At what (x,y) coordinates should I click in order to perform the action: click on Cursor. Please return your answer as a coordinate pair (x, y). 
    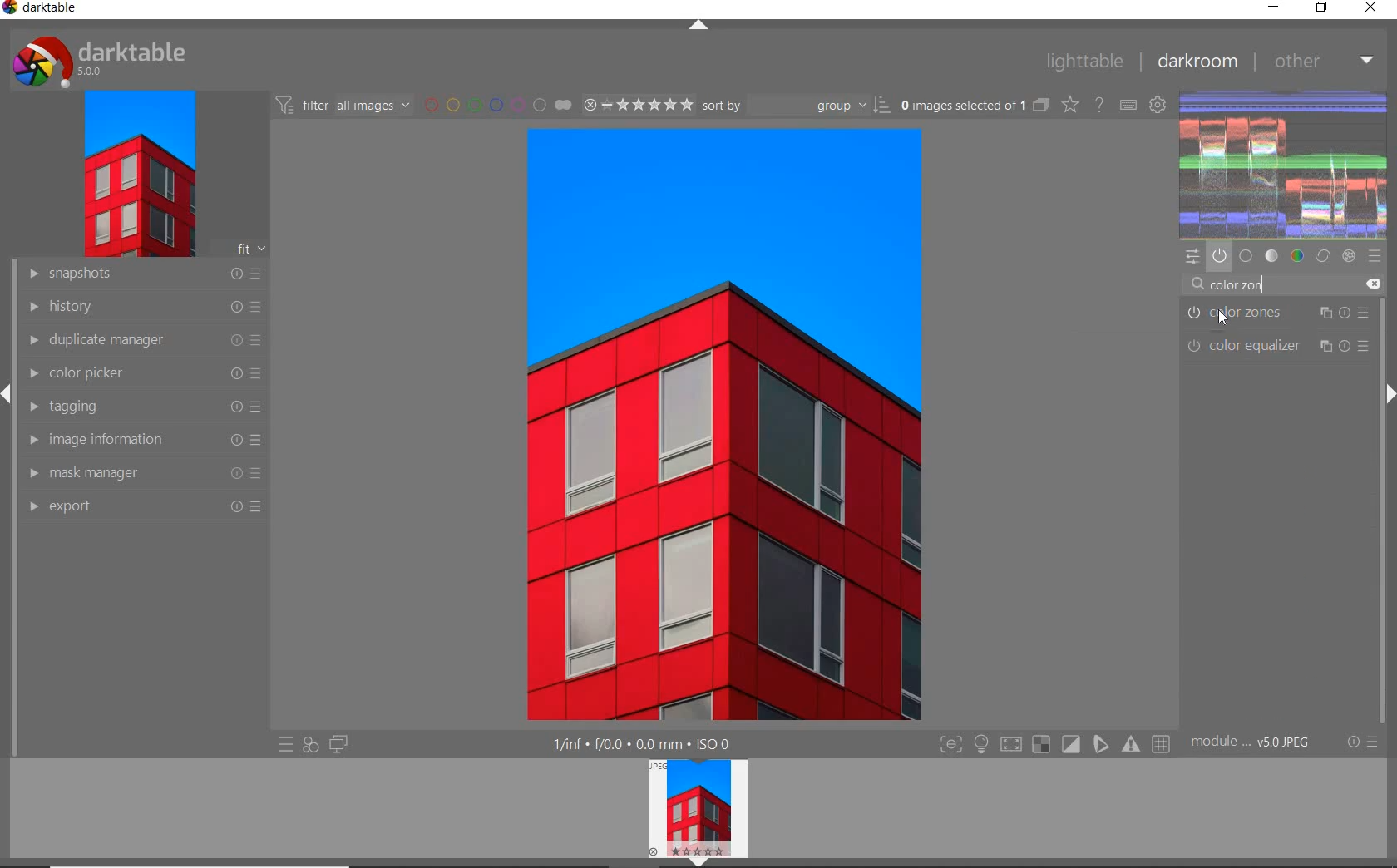
    Looking at the image, I should click on (1231, 320).